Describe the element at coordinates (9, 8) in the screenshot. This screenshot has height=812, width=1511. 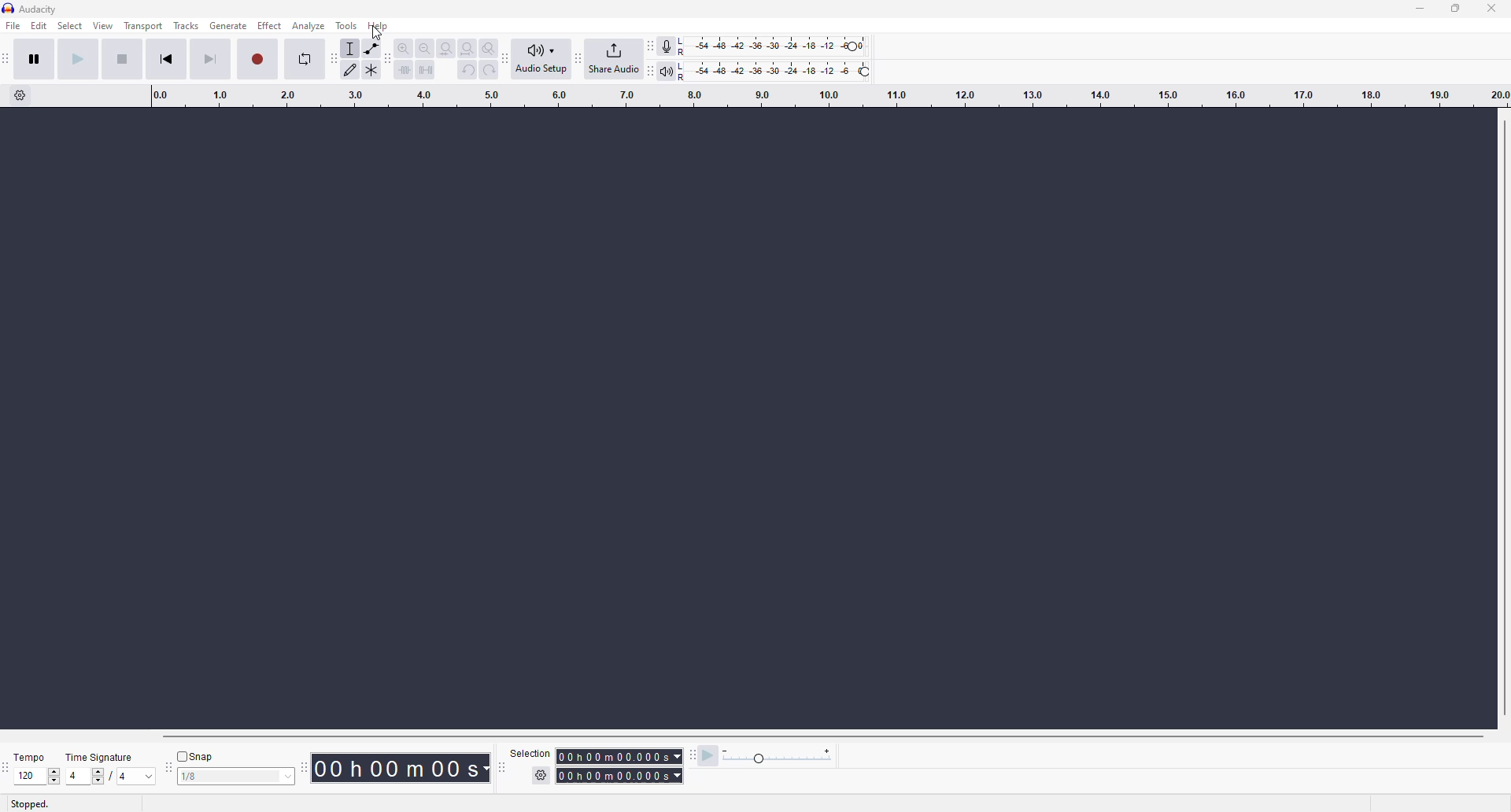
I see `audacity logo` at that location.